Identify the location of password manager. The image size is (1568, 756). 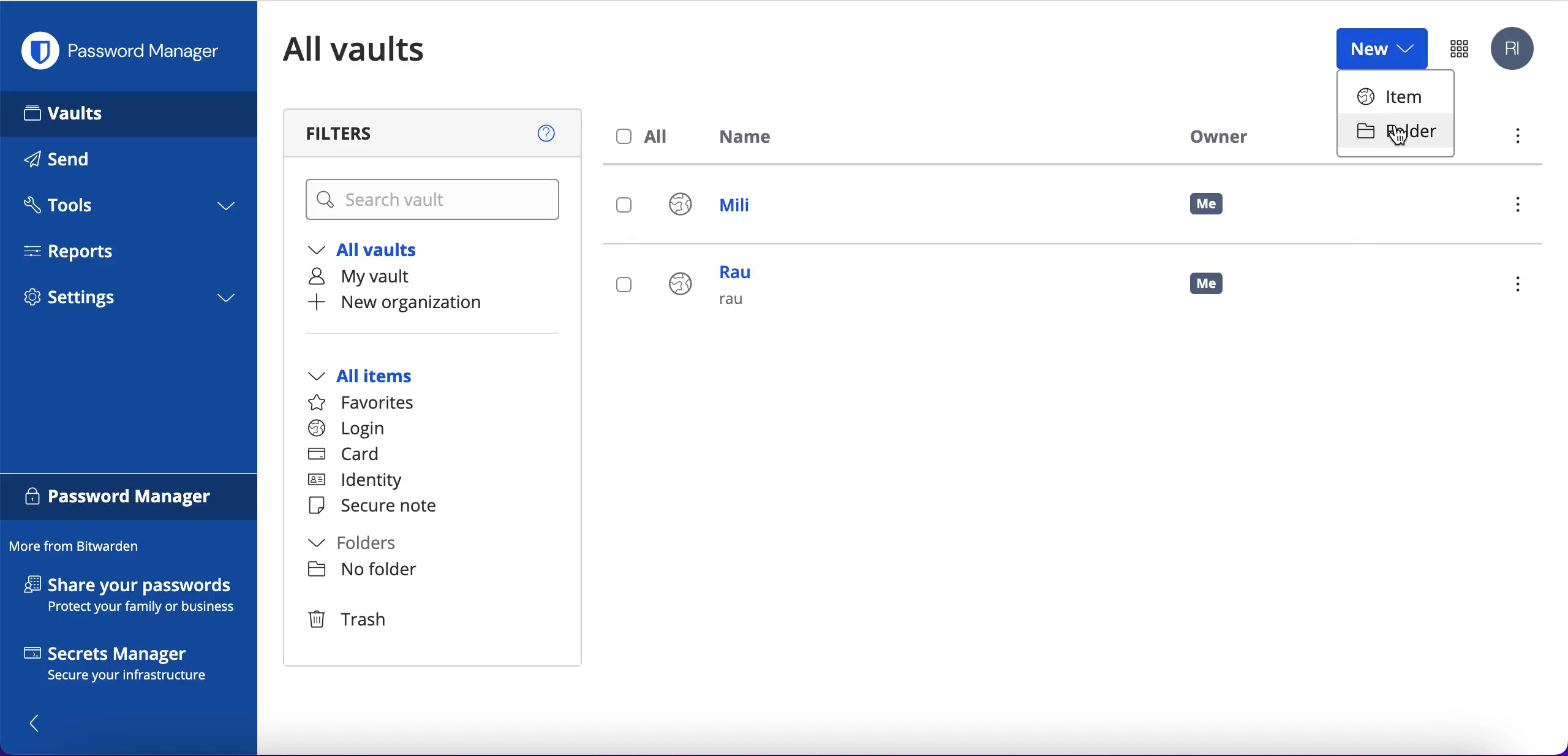
(1459, 48).